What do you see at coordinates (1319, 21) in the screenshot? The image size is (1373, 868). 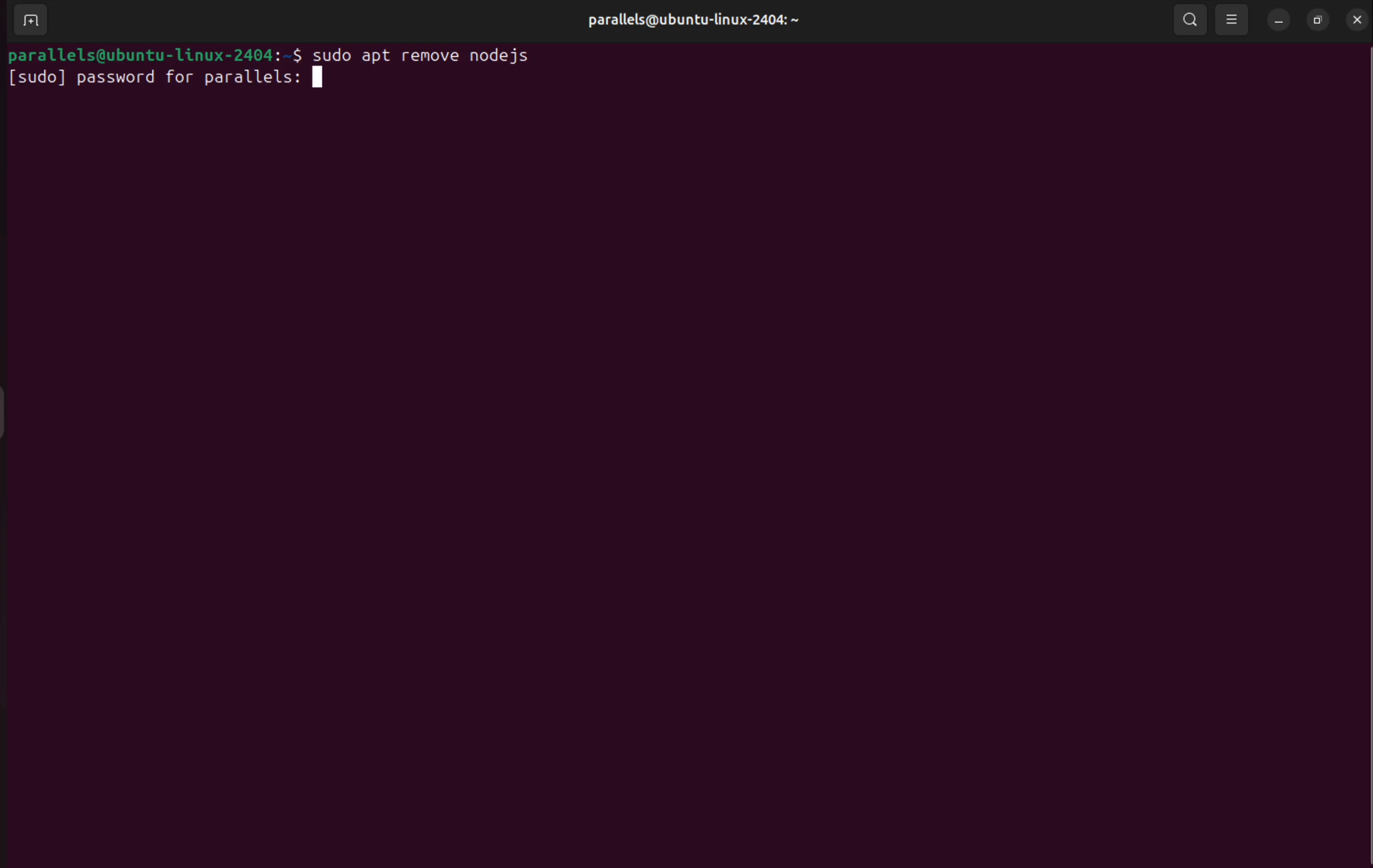 I see `resize` at bounding box center [1319, 21].